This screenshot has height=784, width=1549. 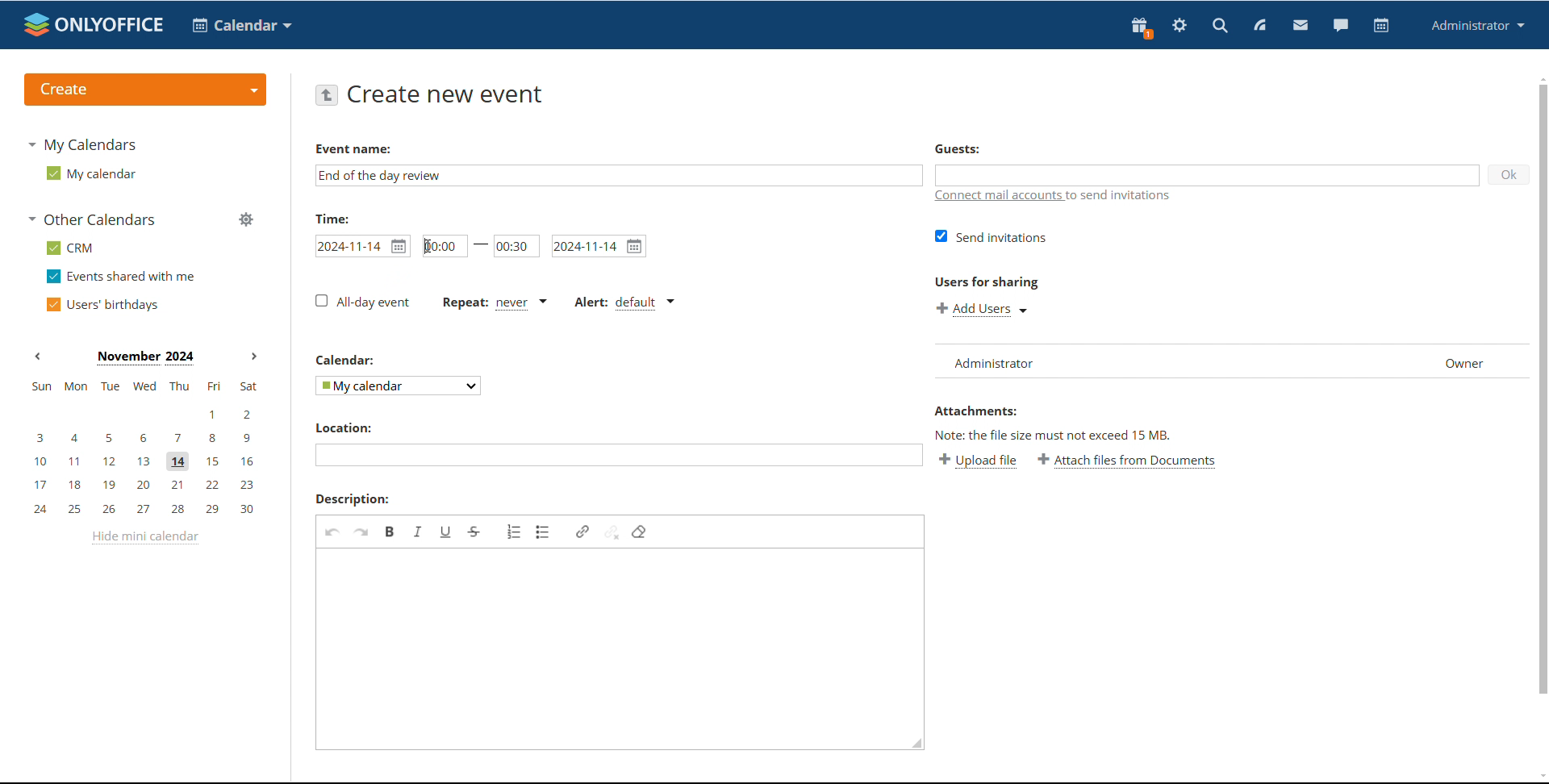 What do you see at coordinates (90, 173) in the screenshot?
I see `my calendar` at bounding box center [90, 173].